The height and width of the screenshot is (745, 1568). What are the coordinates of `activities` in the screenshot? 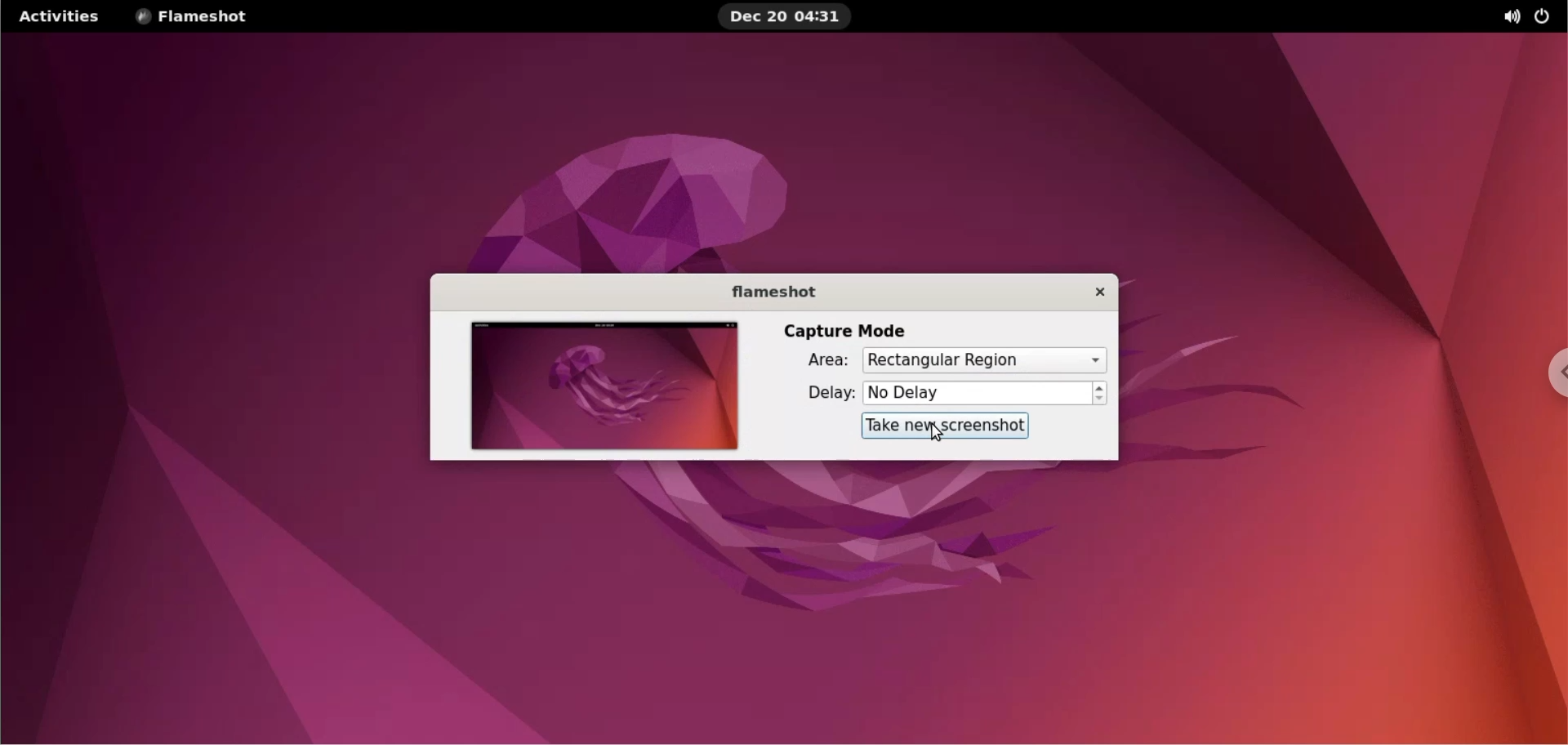 It's located at (65, 16).